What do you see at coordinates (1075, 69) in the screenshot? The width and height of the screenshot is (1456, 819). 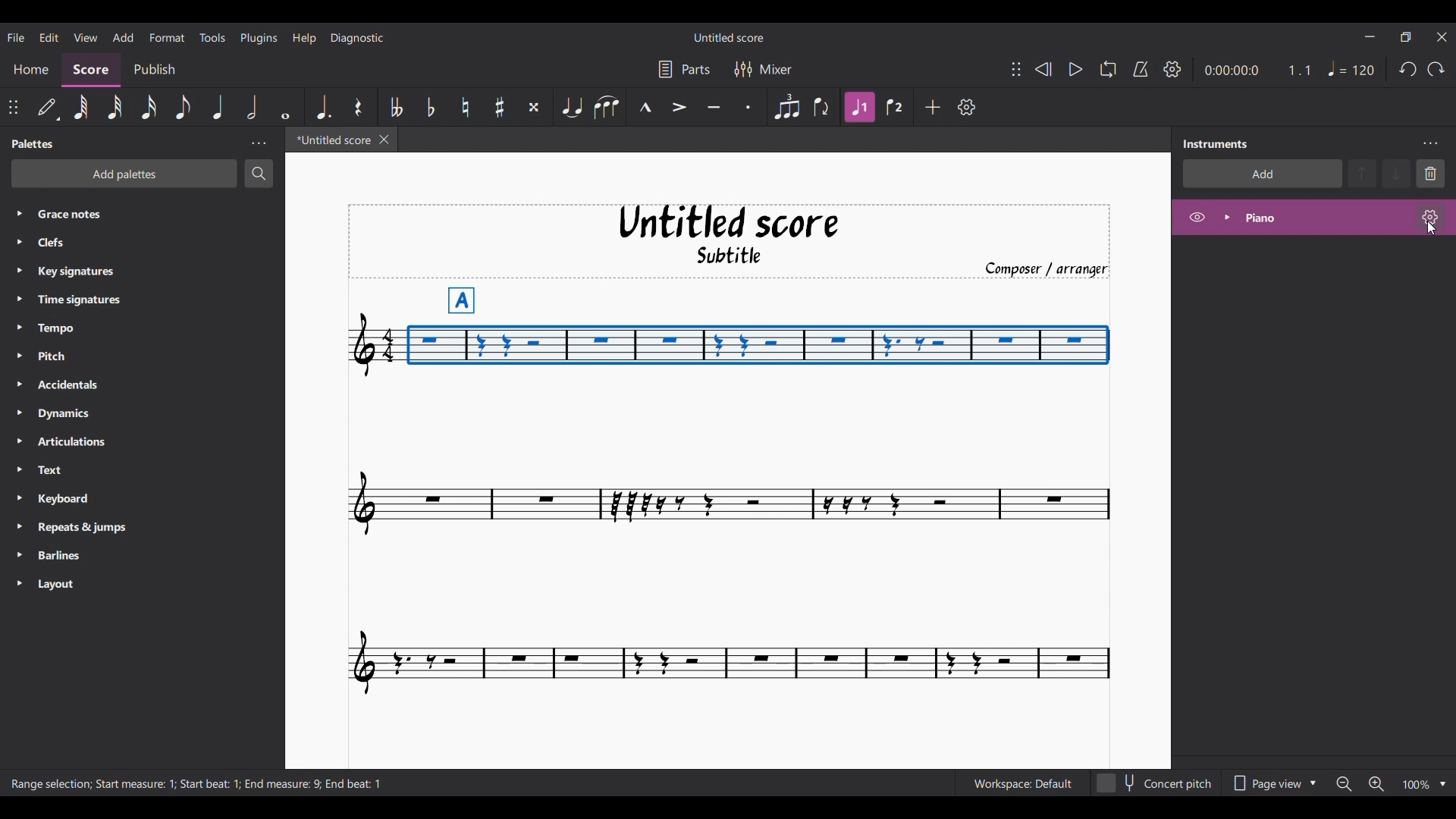 I see `Play` at bounding box center [1075, 69].